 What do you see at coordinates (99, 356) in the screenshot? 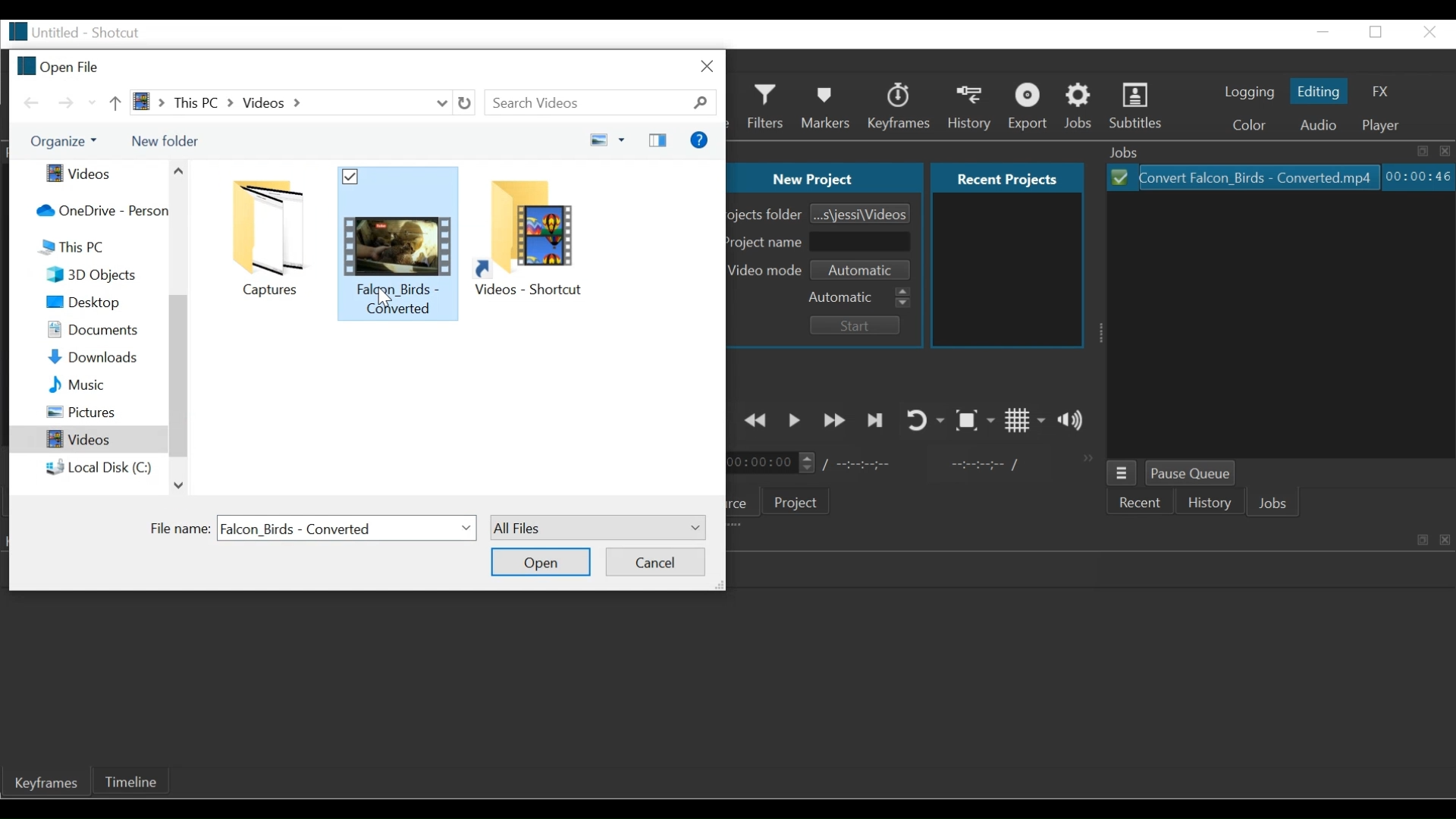
I see `Downloads` at bounding box center [99, 356].